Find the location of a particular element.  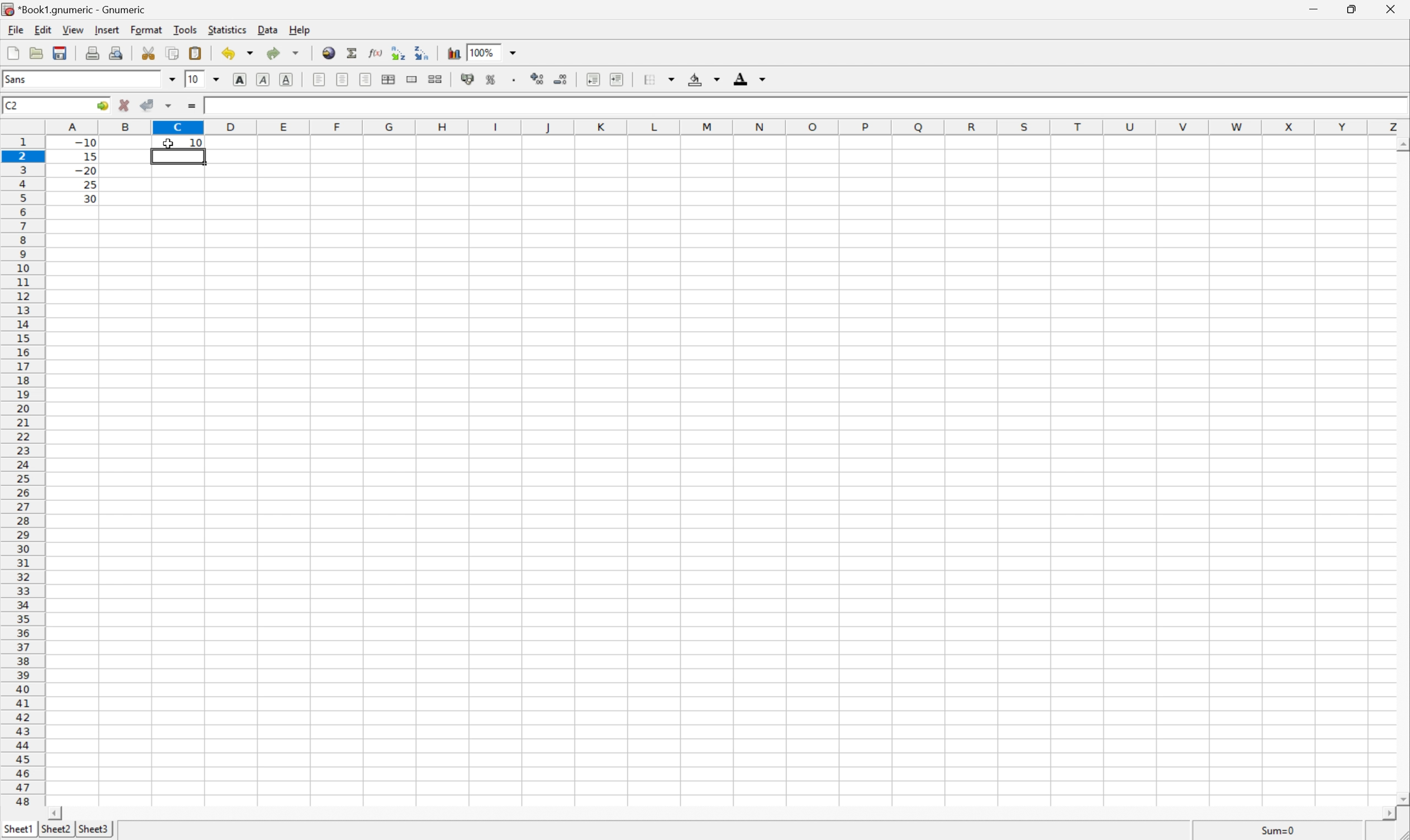

align right is located at coordinates (366, 81).